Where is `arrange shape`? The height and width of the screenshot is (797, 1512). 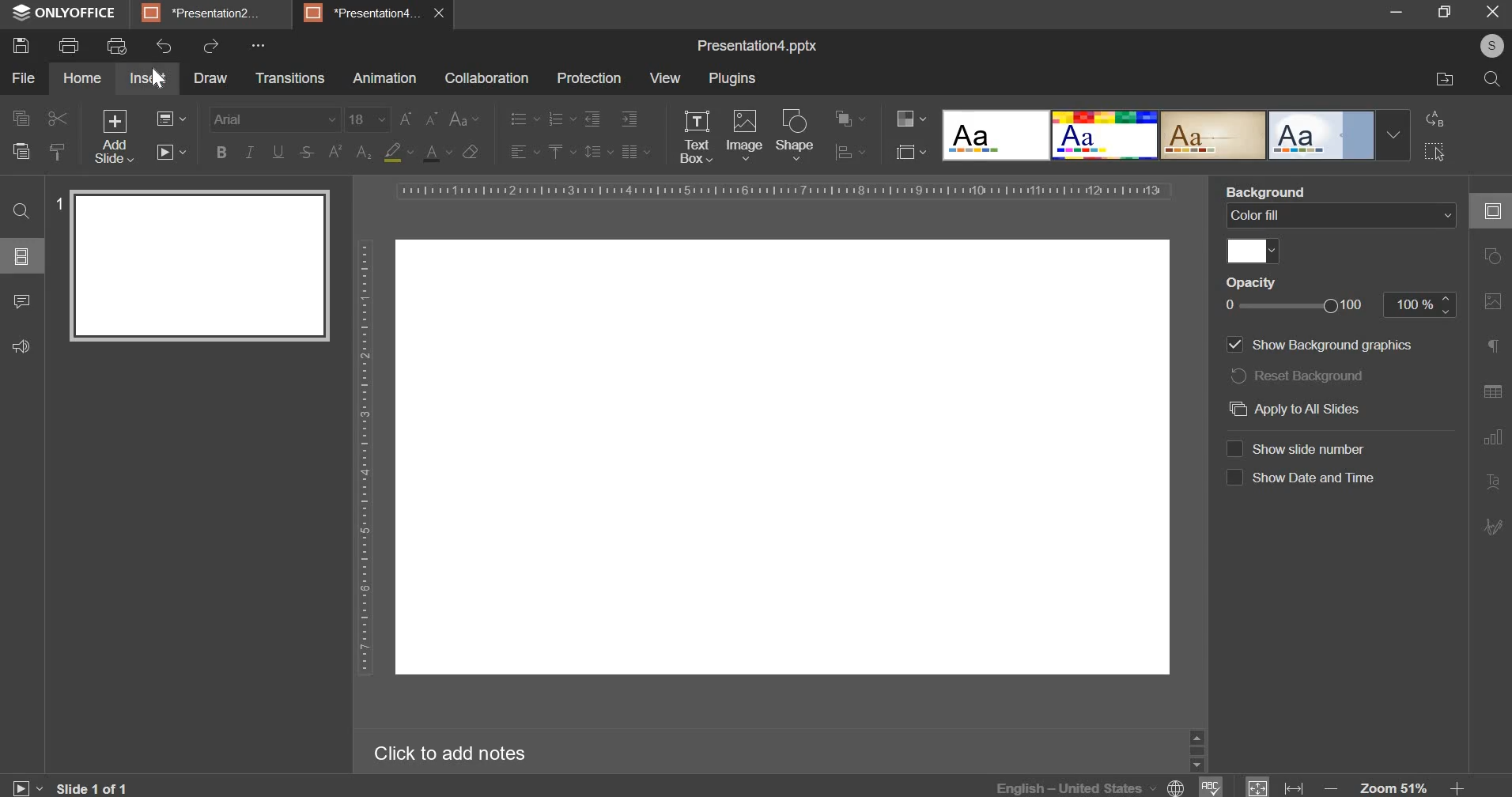
arrange shape is located at coordinates (851, 117).